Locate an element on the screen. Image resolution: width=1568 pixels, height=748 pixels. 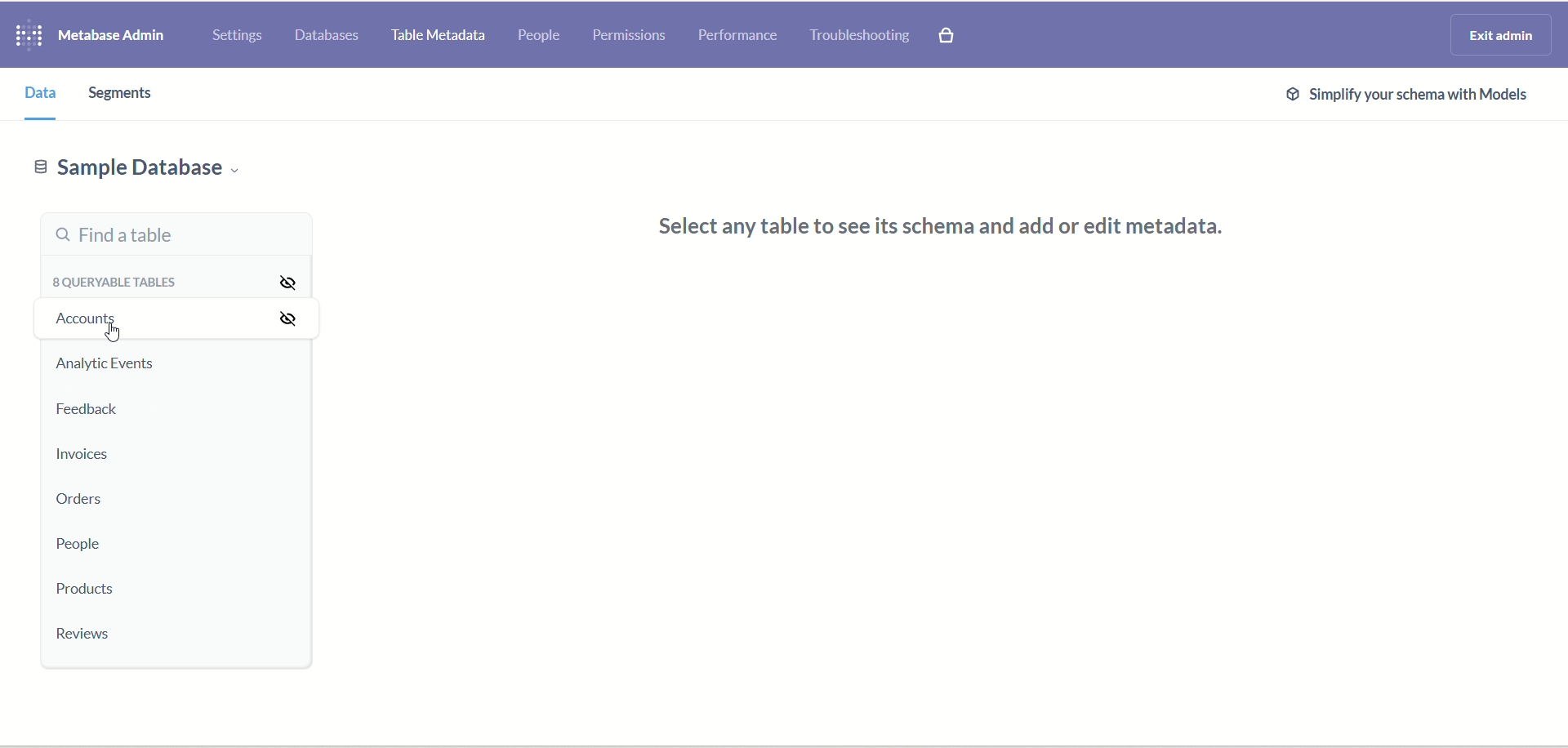
exit admin is located at coordinates (1501, 33).